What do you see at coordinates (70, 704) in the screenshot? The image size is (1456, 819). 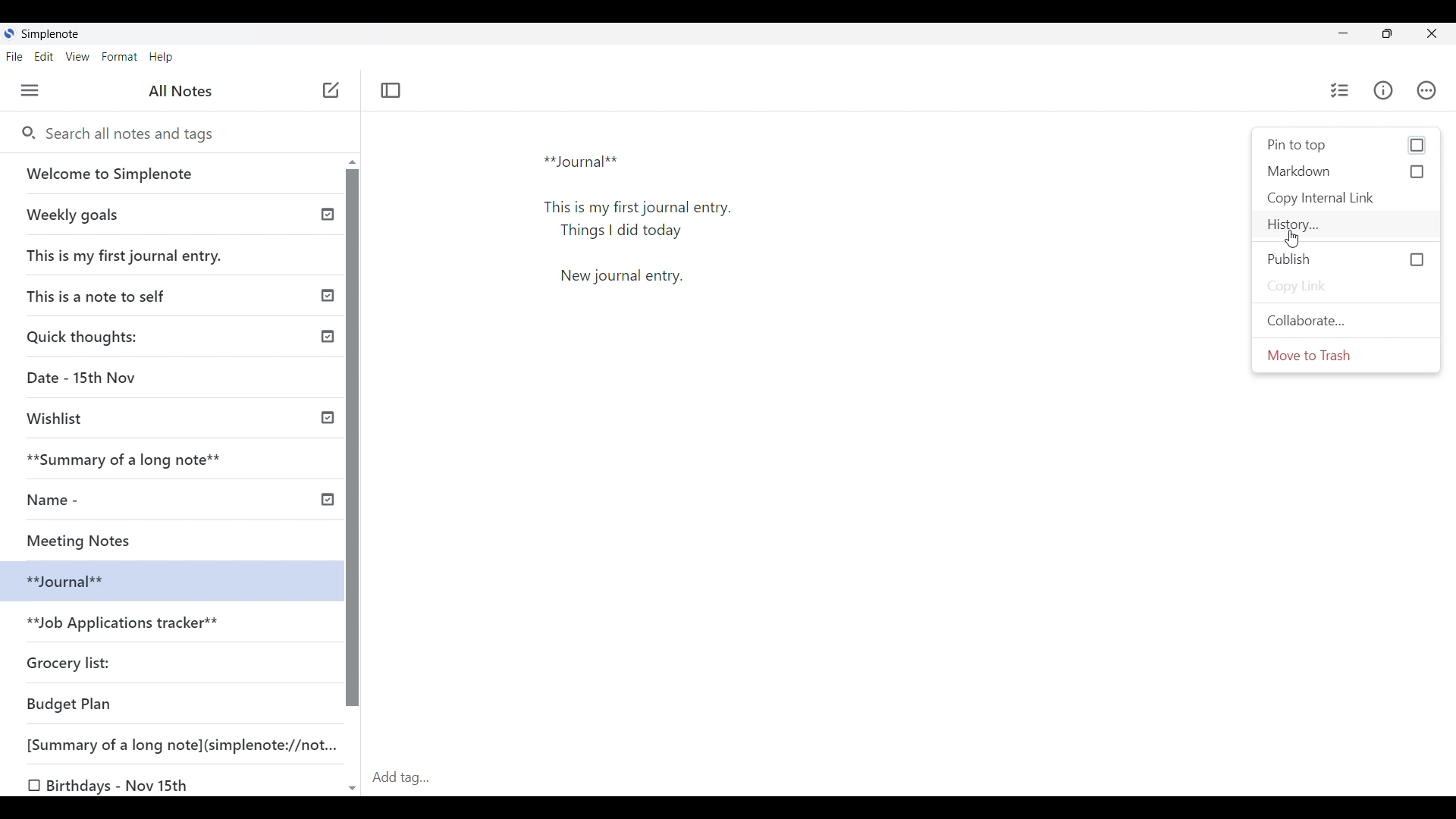 I see `Budget Plan` at bounding box center [70, 704].